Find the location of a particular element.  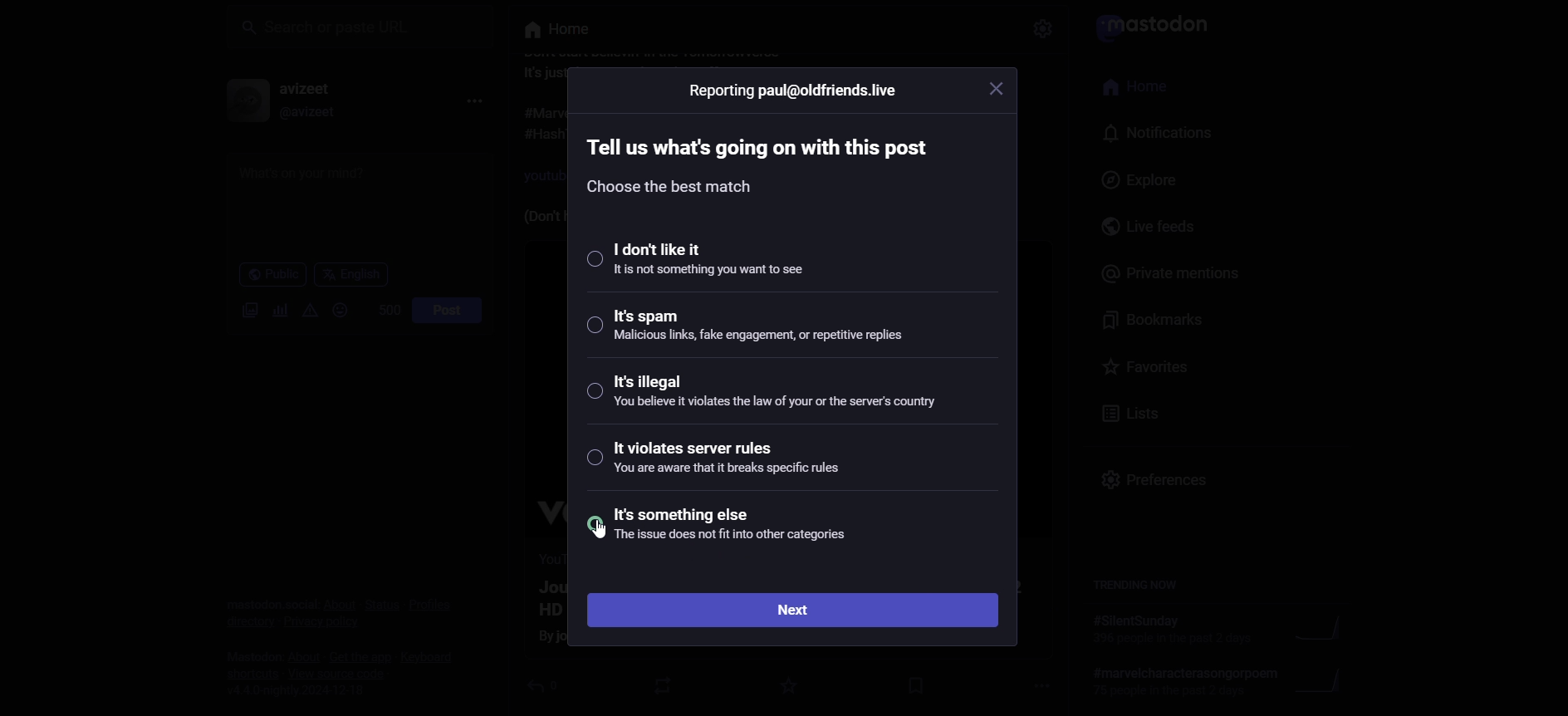

text is located at coordinates (760, 164).